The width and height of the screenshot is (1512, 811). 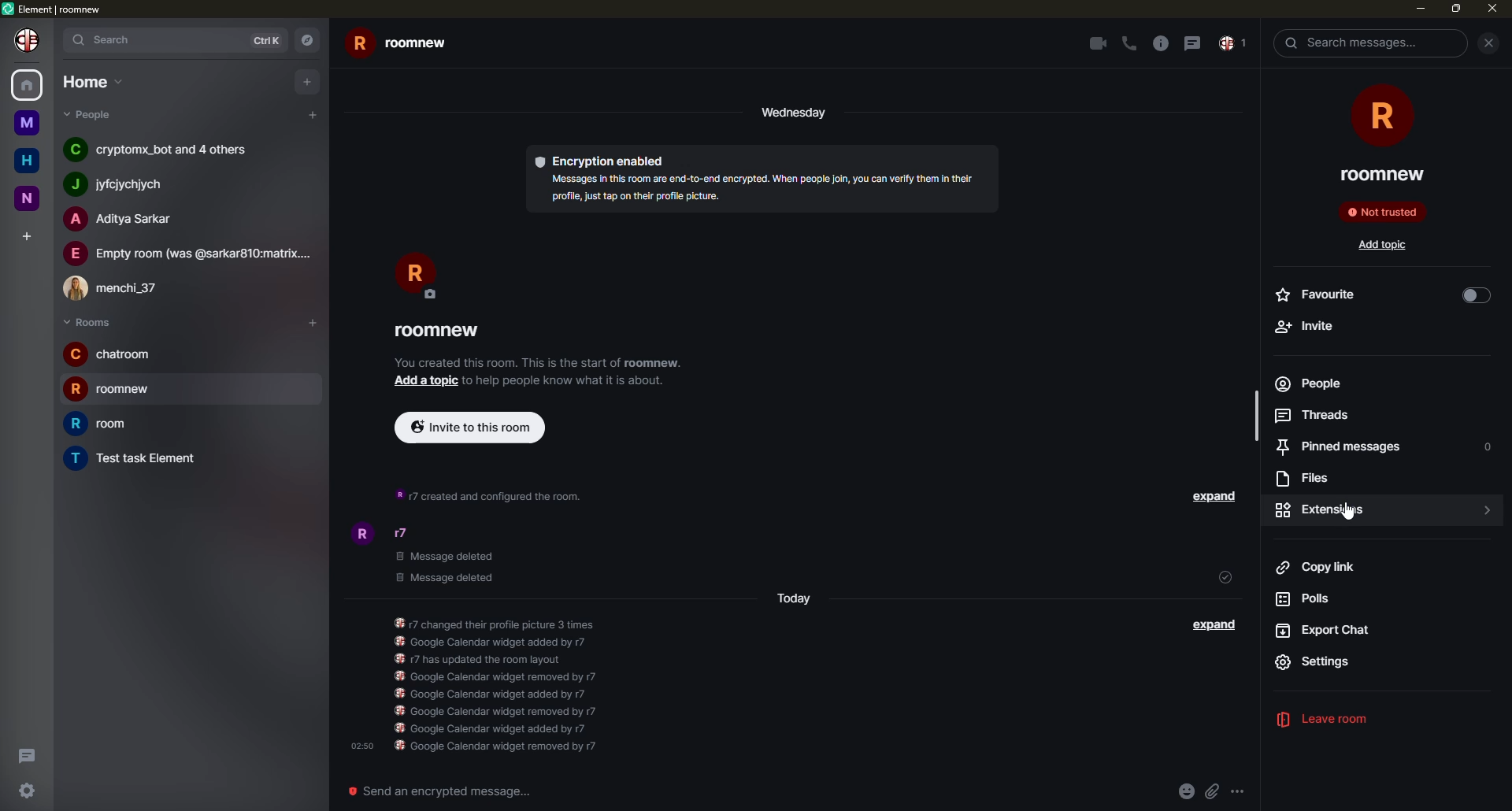 What do you see at coordinates (1210, 790) in the screenshot?
I see `attach` at bounding box center [1210, 790].